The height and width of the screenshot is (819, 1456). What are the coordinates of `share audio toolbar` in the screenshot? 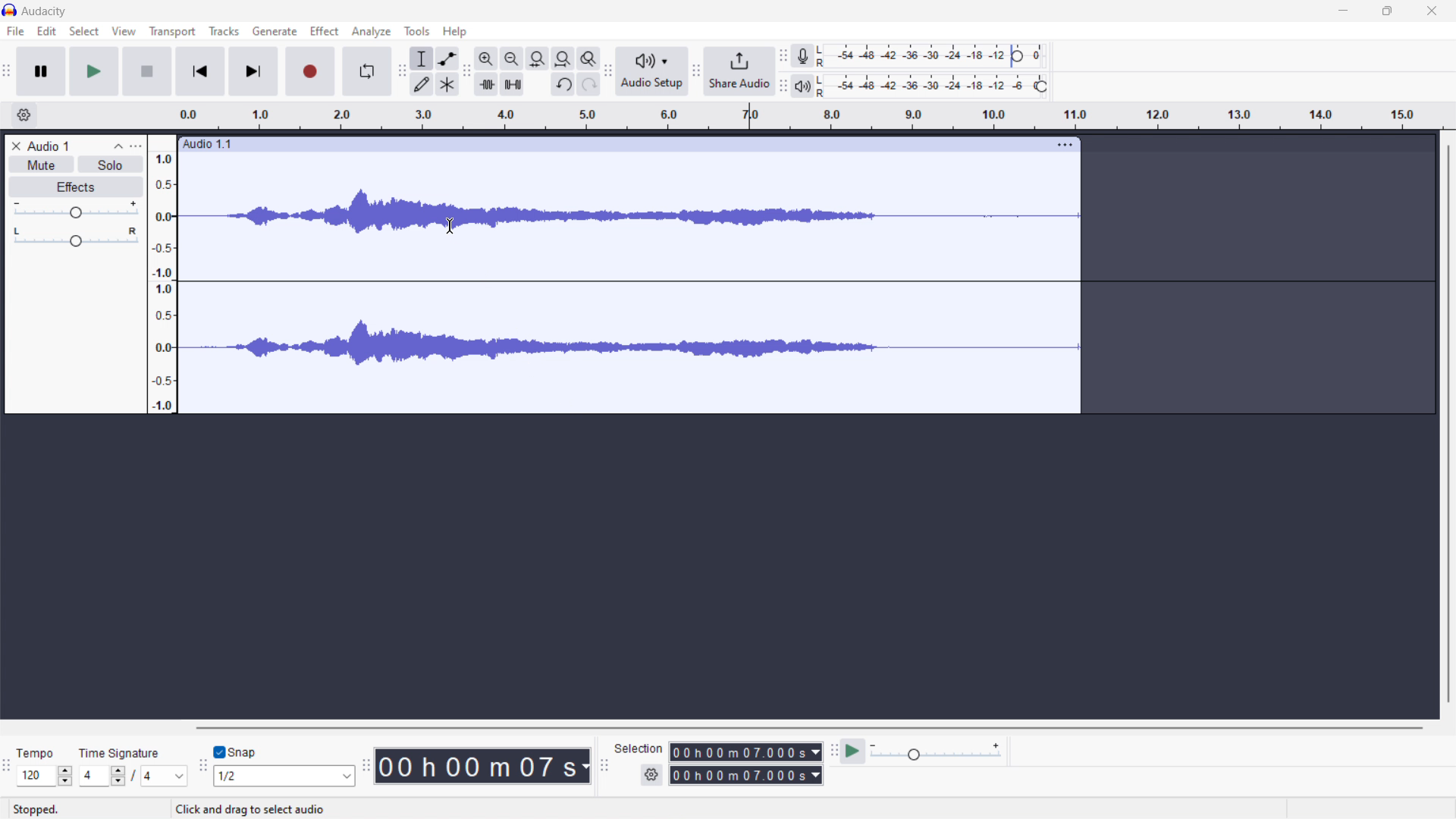 It's located at (696, 73).